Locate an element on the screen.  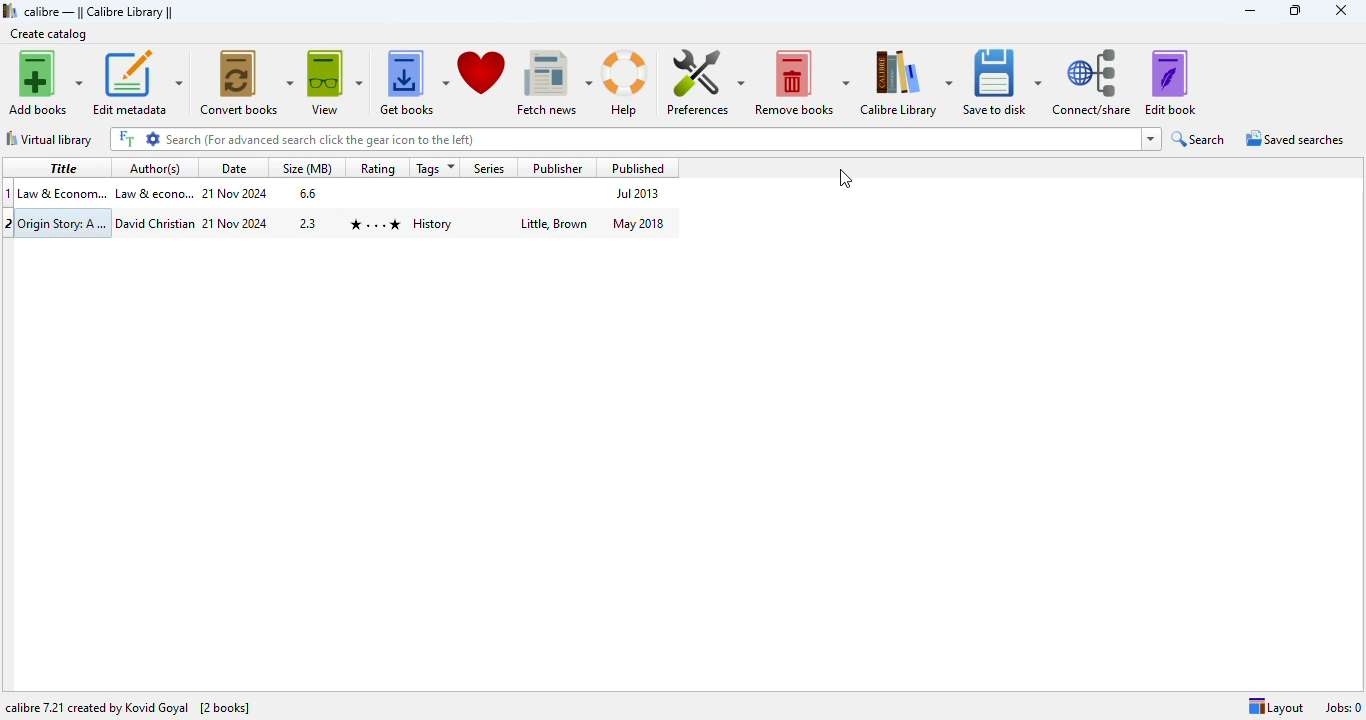
author(s) is located at coordinates (157, 167).